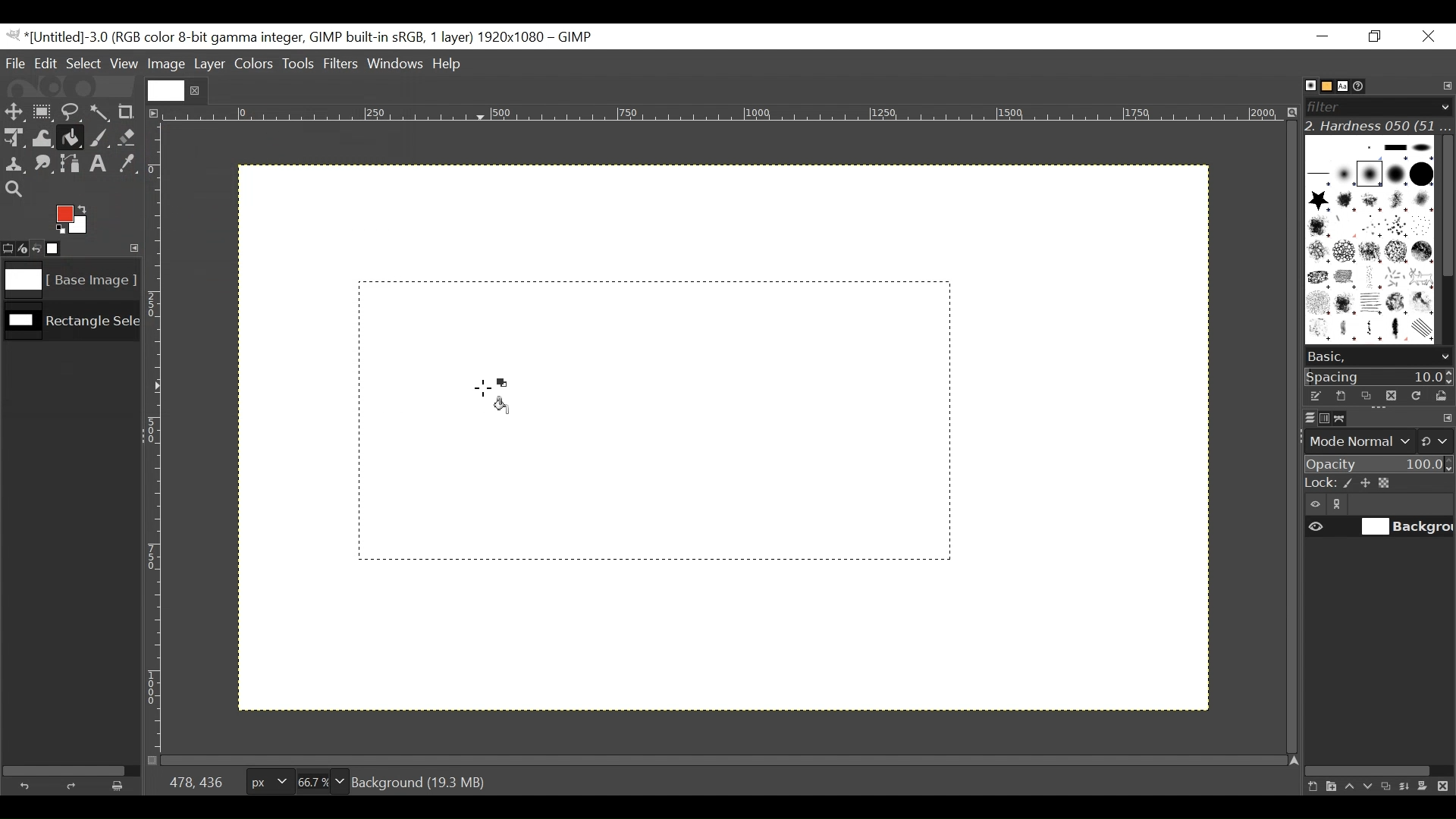 The width and height of the screenshot is (1456, 819). What do you see at coordinates (70, 109) in the screenshot?
I see `Free Select tool` at bounding box center [70, 109].